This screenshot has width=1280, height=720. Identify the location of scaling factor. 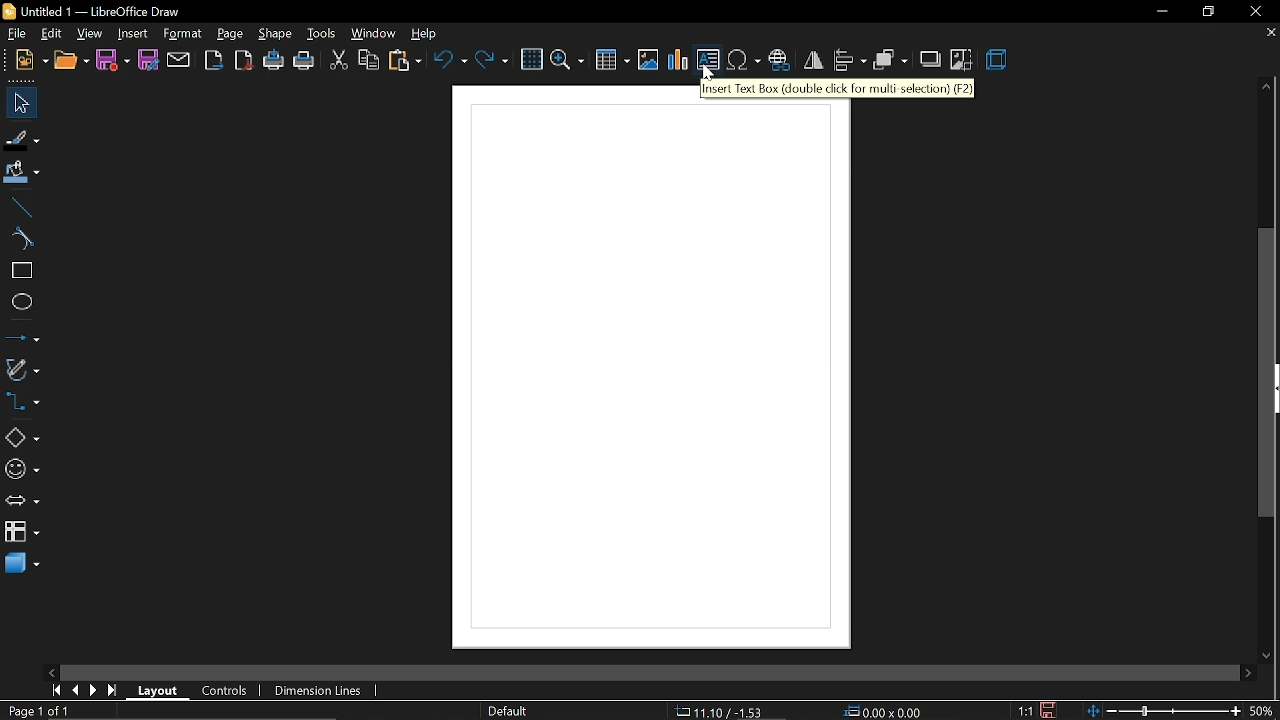
(1026, 711).